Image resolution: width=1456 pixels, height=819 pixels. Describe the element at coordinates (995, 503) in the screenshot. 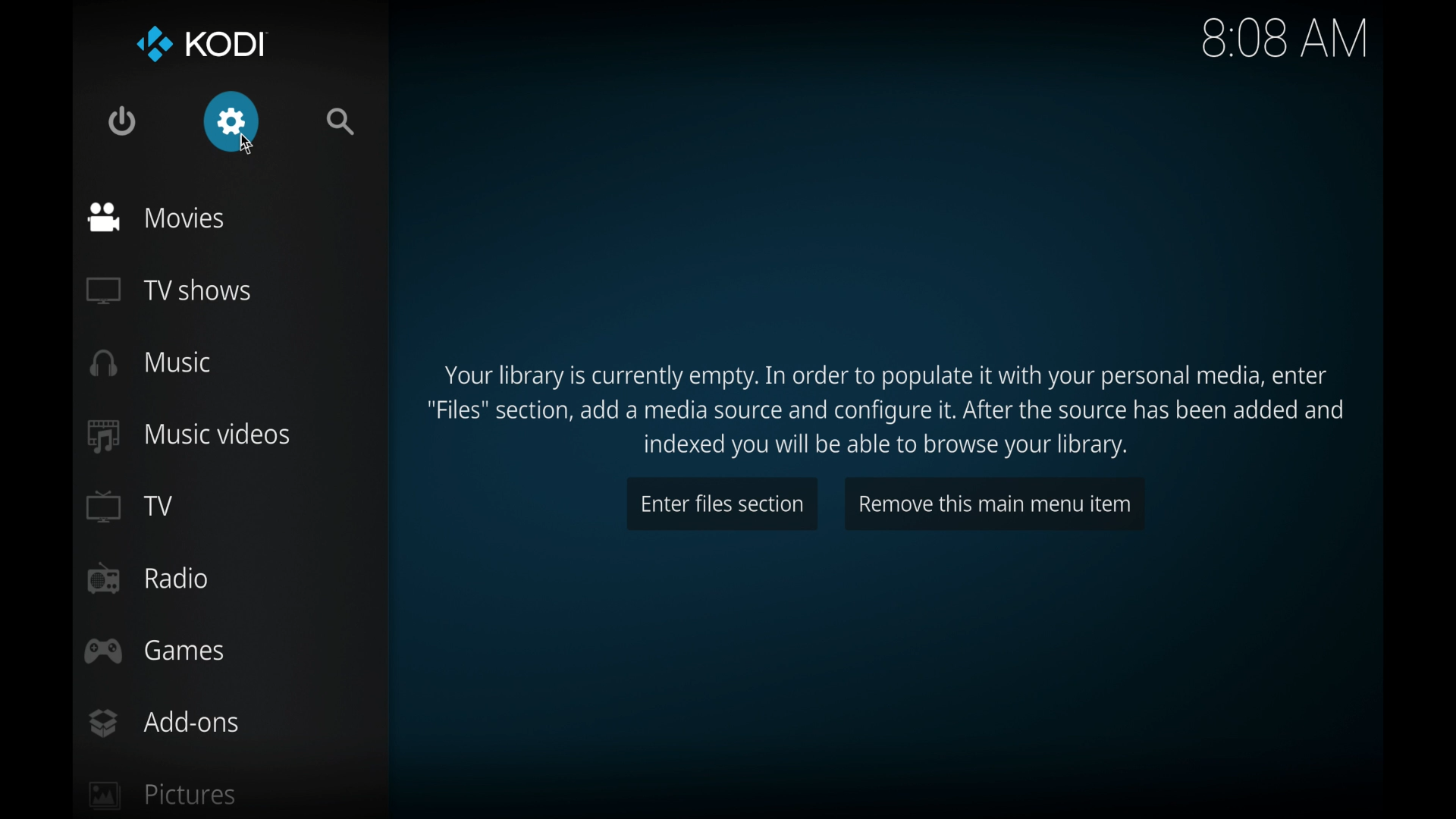

I see `remove this  main menu item` at that location.